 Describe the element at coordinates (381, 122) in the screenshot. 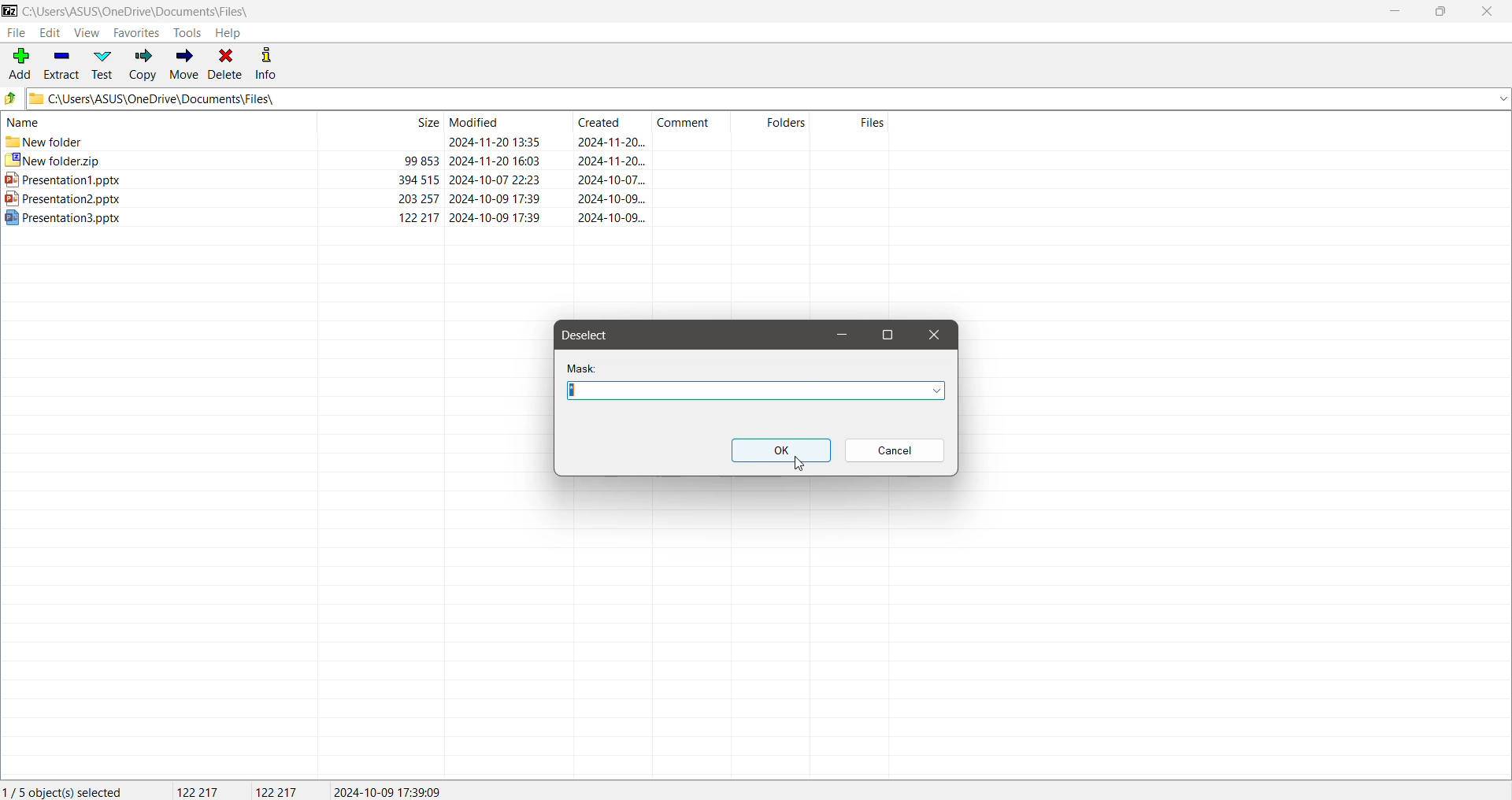

I see `File Sizes` at that location.